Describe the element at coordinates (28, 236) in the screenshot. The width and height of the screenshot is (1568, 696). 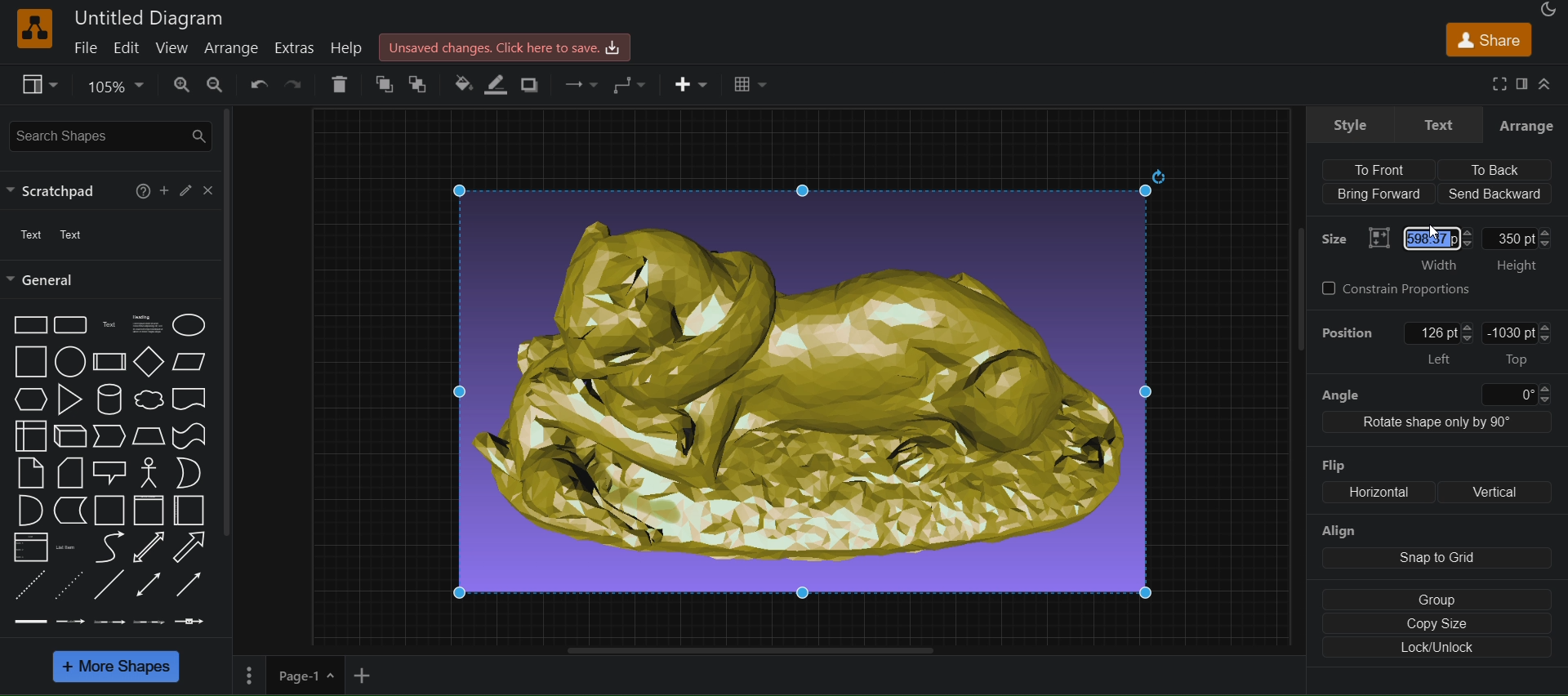
I see `text` at that location.